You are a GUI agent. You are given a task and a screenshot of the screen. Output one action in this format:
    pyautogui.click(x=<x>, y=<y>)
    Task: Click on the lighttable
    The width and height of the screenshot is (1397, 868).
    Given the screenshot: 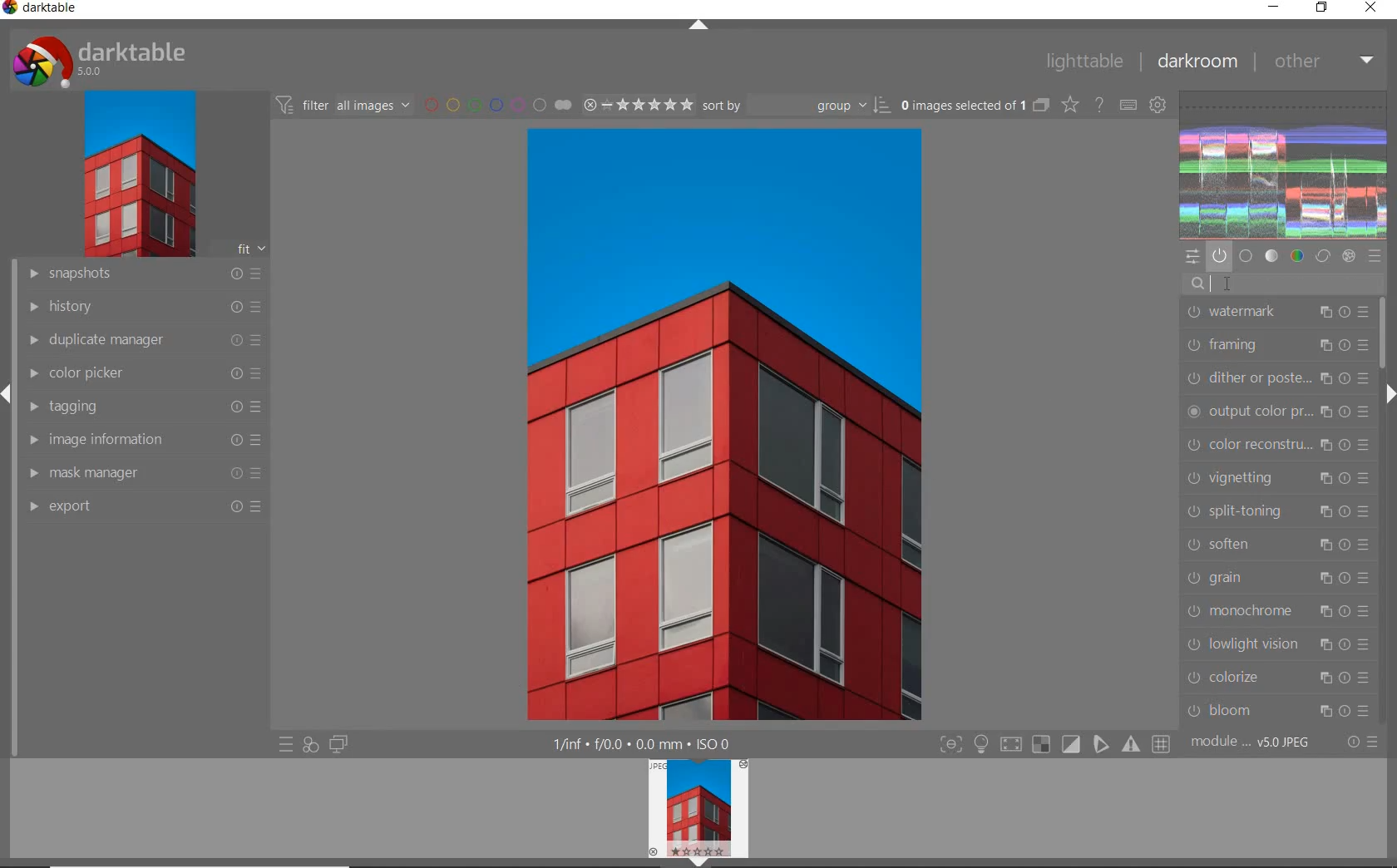 What is the action you would take?
    pyautogui.click(x=1088, y=61)
    